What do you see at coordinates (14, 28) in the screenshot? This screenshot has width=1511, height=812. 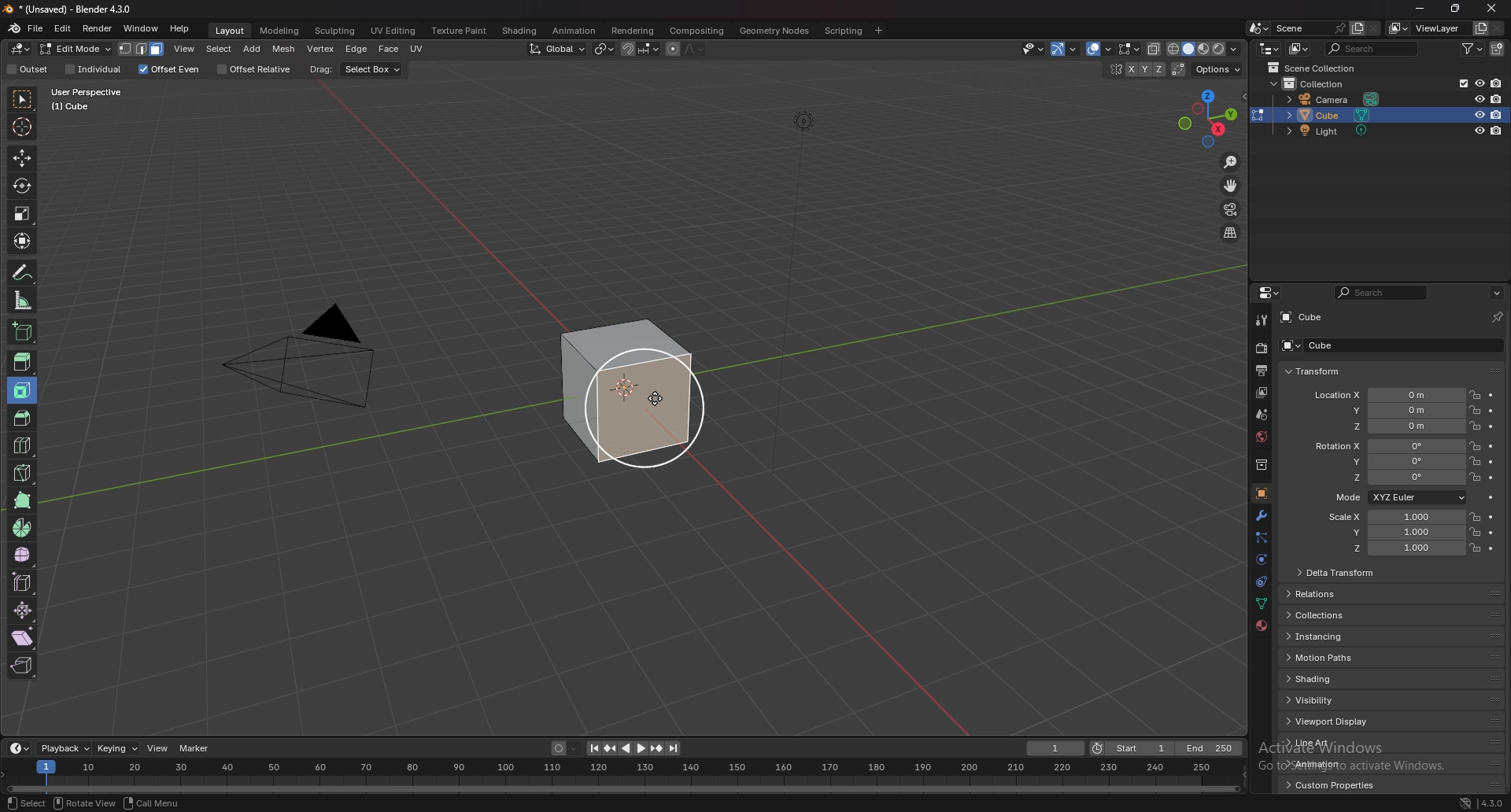 I see `blender` at bounding box center [14, 28].